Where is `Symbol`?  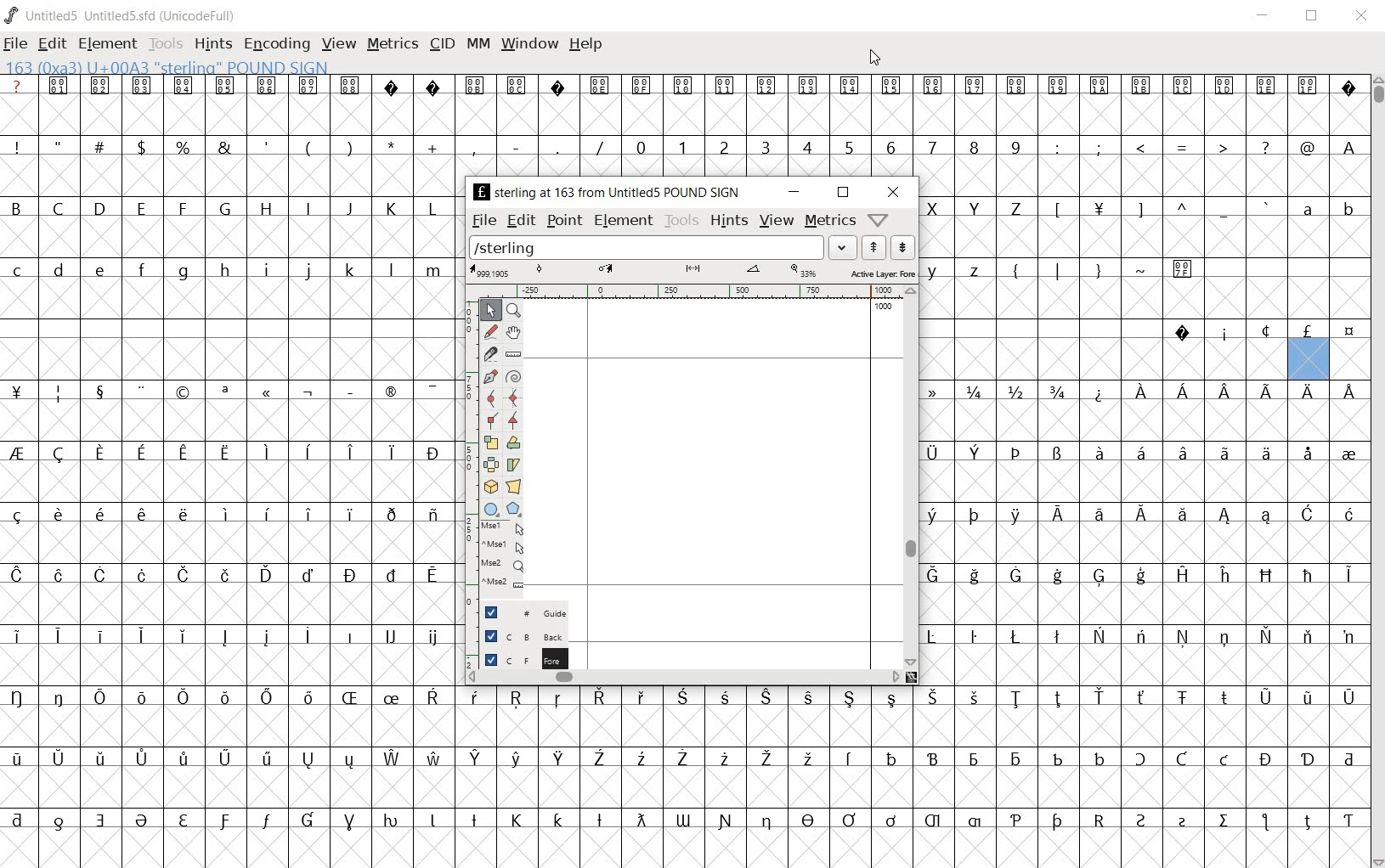 Symbol is located at coordinates (97, 634).